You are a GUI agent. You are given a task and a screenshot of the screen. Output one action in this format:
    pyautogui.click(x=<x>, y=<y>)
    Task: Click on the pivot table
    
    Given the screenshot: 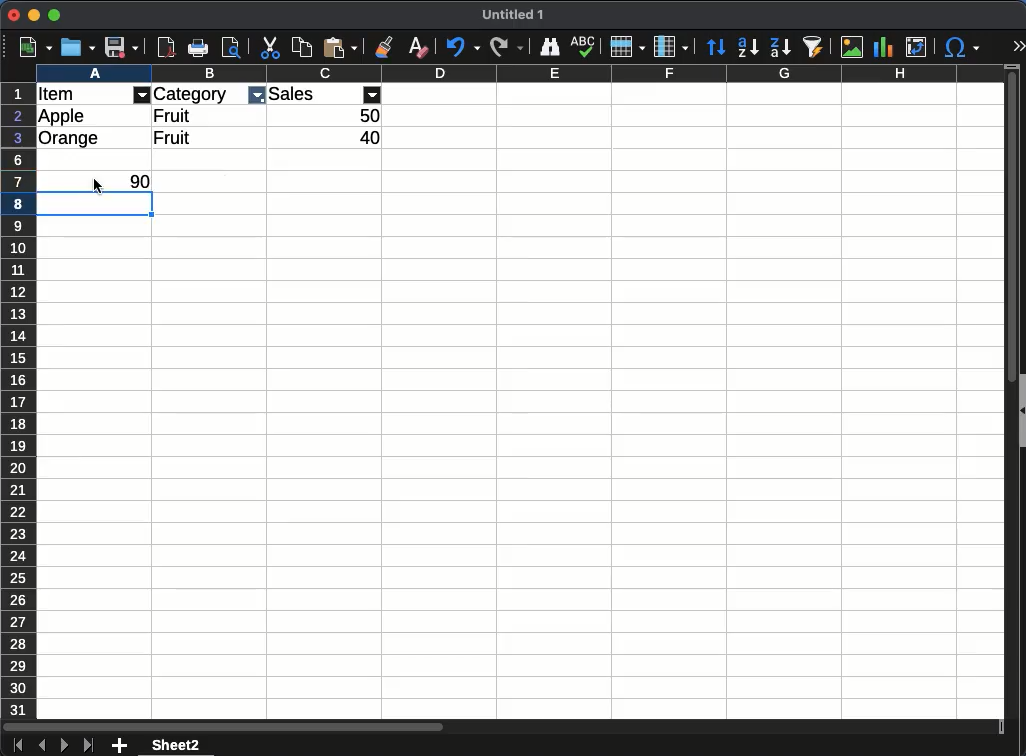 What is the action you would take?
    pyautogui.click(x=920, y=44)
    